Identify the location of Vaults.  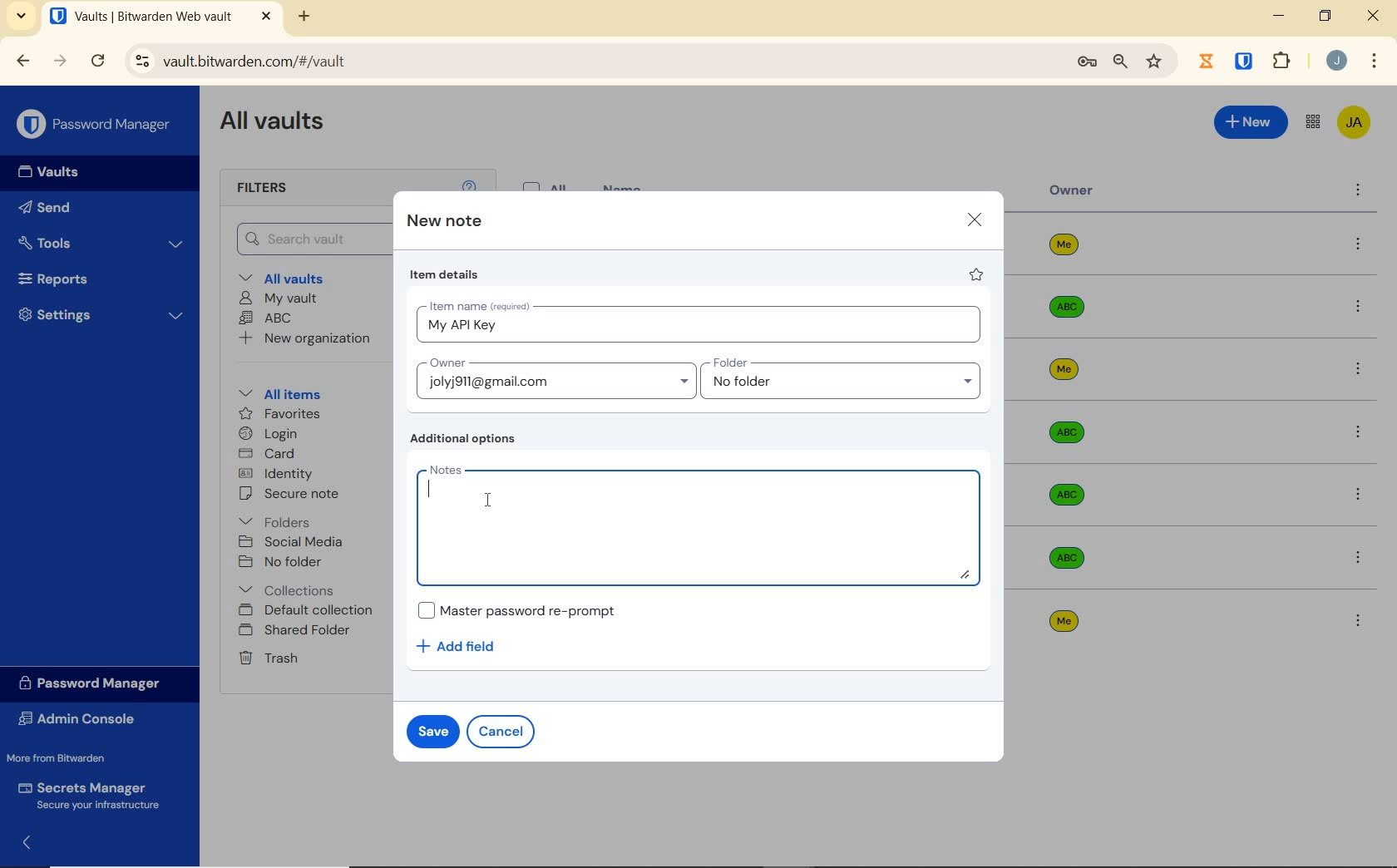
(57, 174).